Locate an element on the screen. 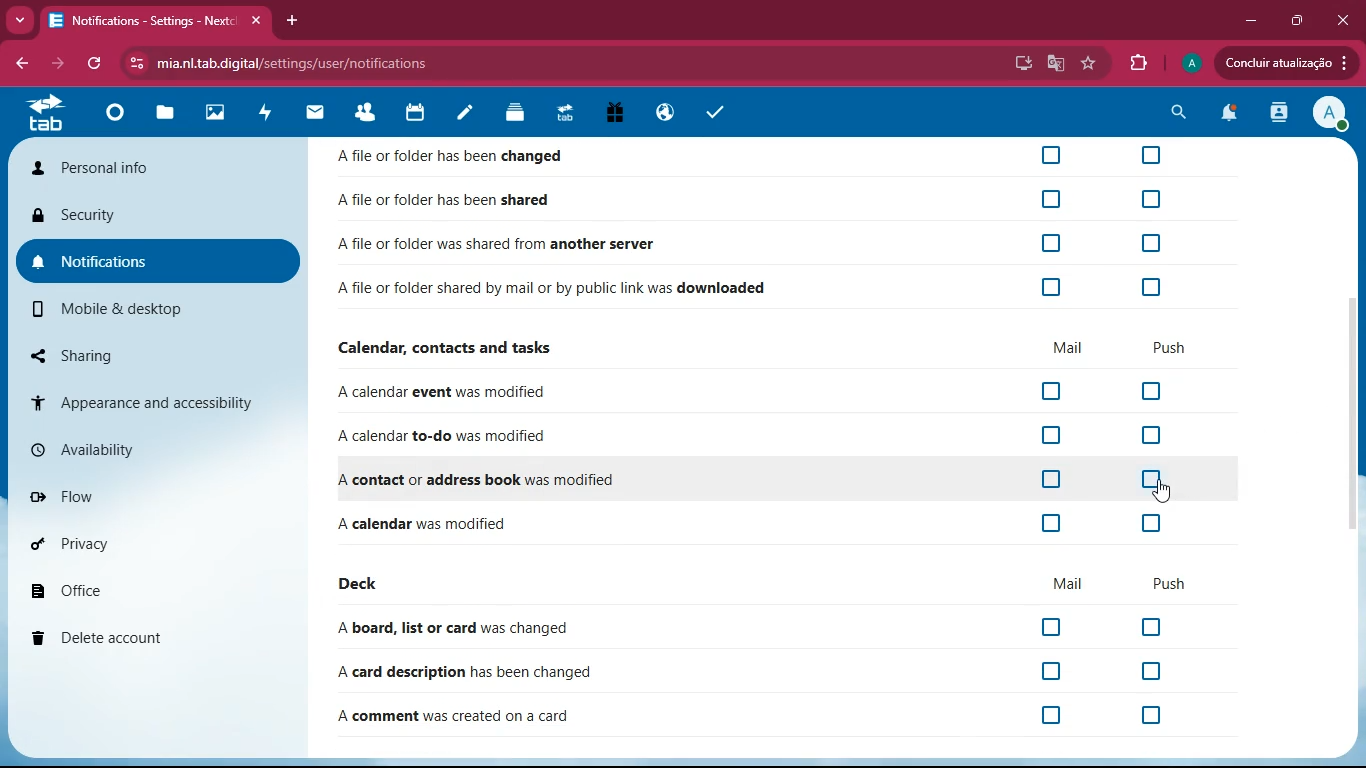 This screenshot has width=1366, height=768. A calendar event was modified is located at coordinates (440, 391).